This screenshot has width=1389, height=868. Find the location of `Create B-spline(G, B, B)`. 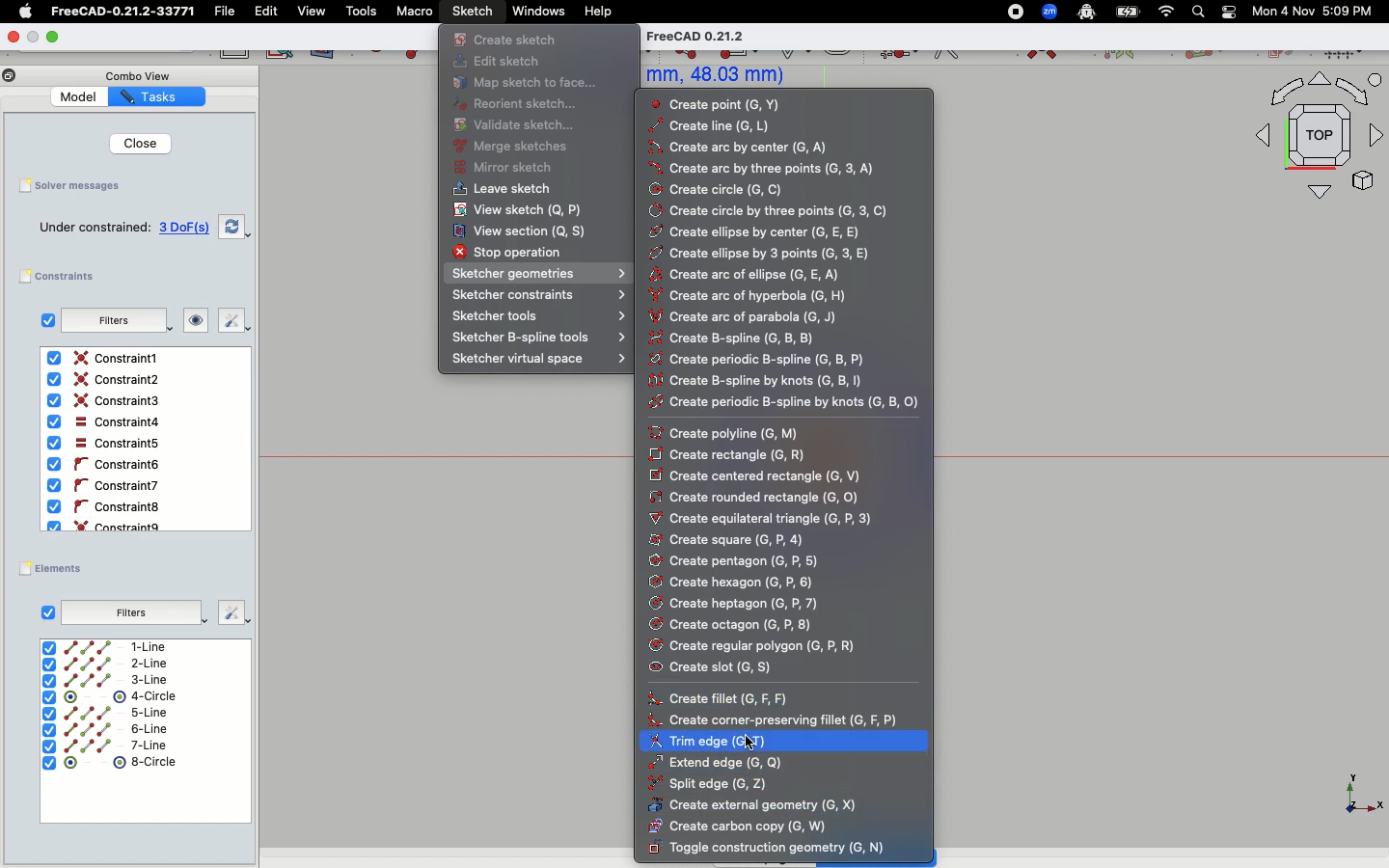

Create B-spline(G, B, B) is located at coordinates (737, 338).